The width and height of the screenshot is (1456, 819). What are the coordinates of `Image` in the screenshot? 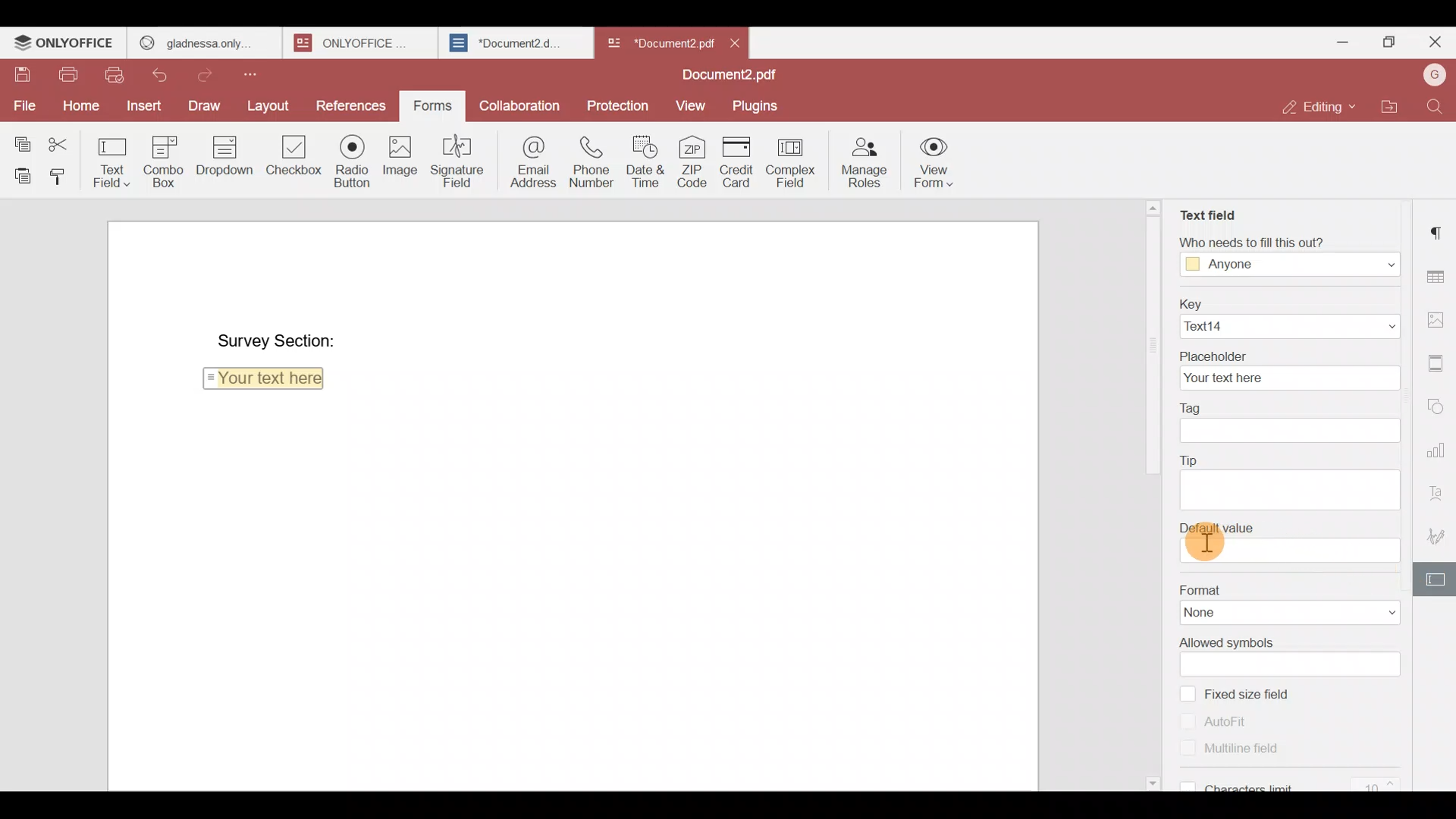 It's located at (399, 158).